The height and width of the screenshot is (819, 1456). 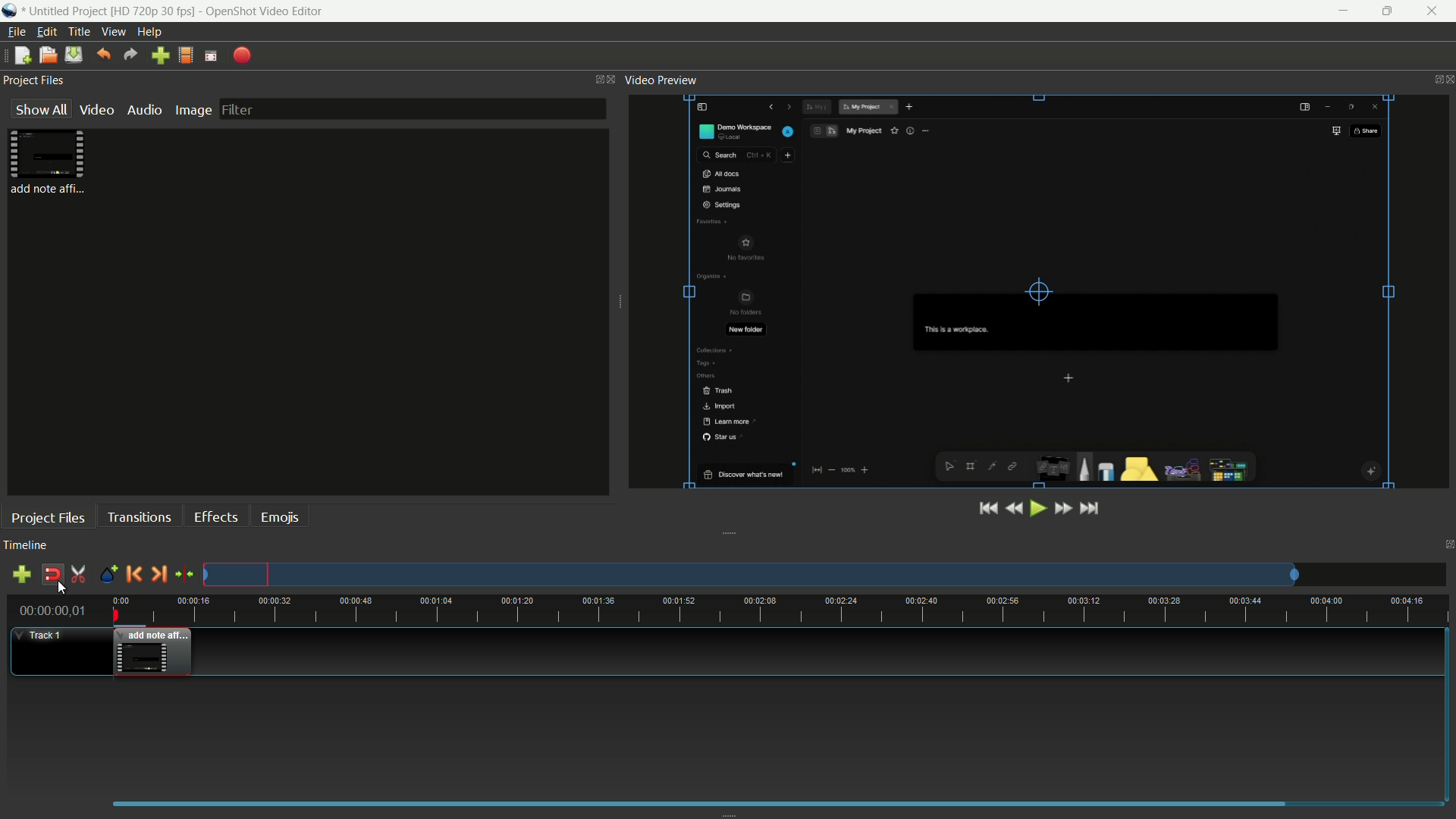 What do you see at coordinates (193, 111) in the screenshot?
I see `image` at bounding box center [193, 111].